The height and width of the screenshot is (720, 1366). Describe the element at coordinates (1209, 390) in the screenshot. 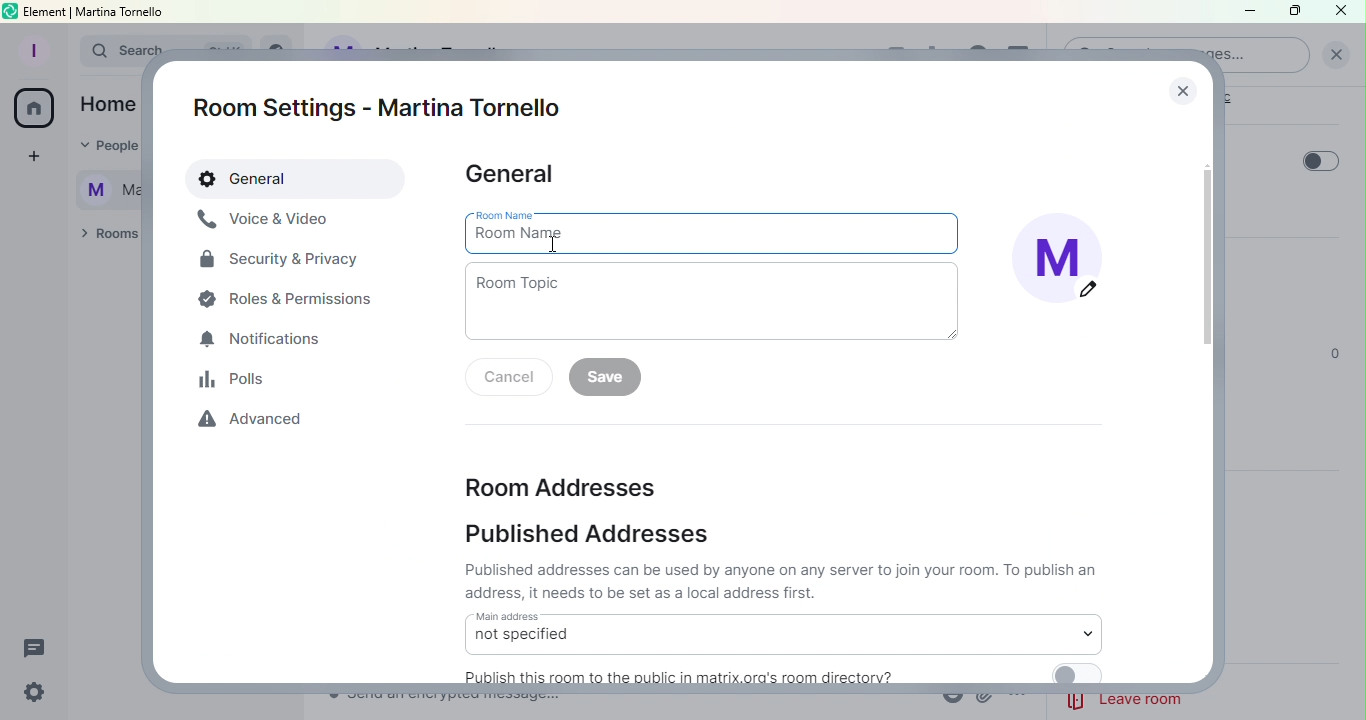

I see `Scroll bar` at that location.